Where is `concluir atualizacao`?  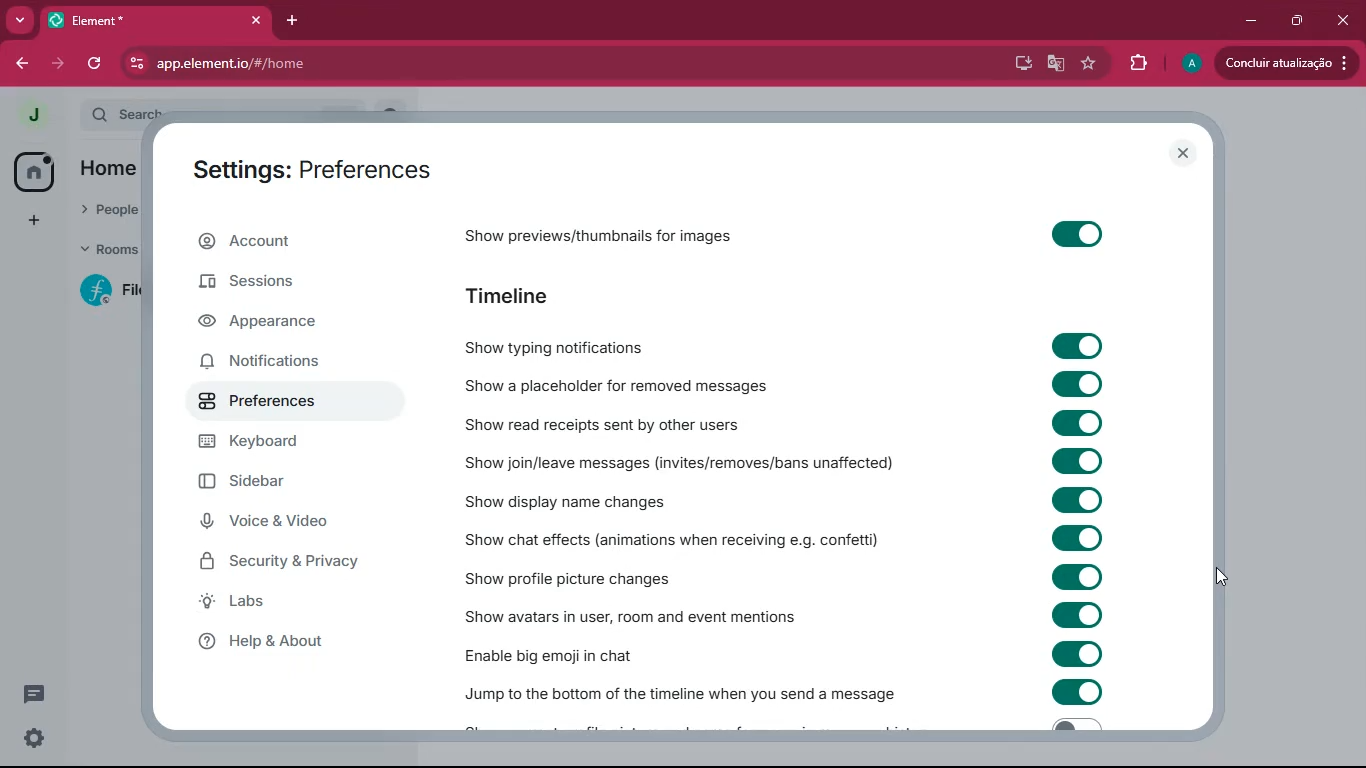 concluir atualizacao is located at coordinates (1284, 62).